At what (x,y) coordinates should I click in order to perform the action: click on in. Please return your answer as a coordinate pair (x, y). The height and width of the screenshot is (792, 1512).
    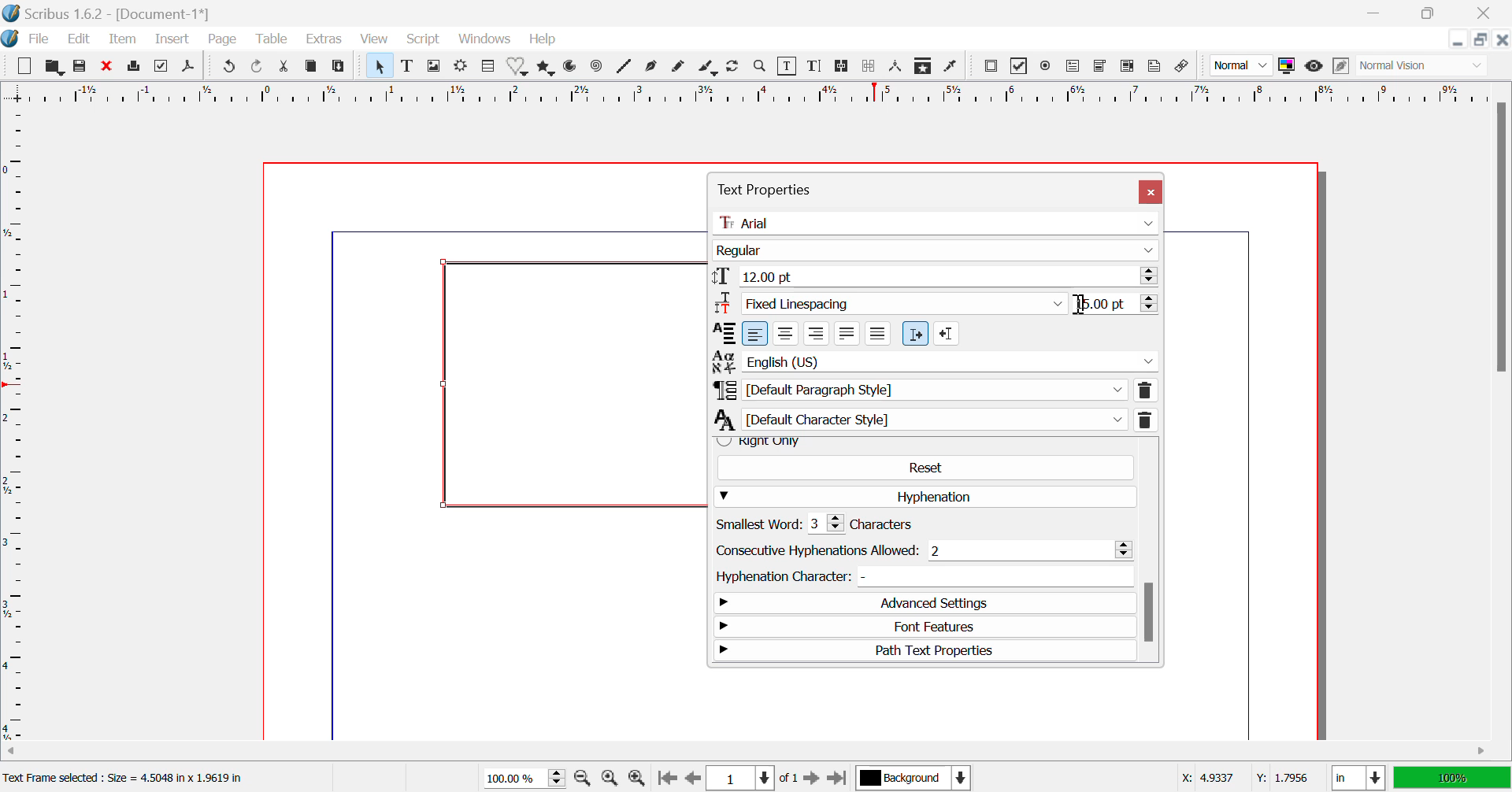
    Looking at the image, I should click on (1354, 778).